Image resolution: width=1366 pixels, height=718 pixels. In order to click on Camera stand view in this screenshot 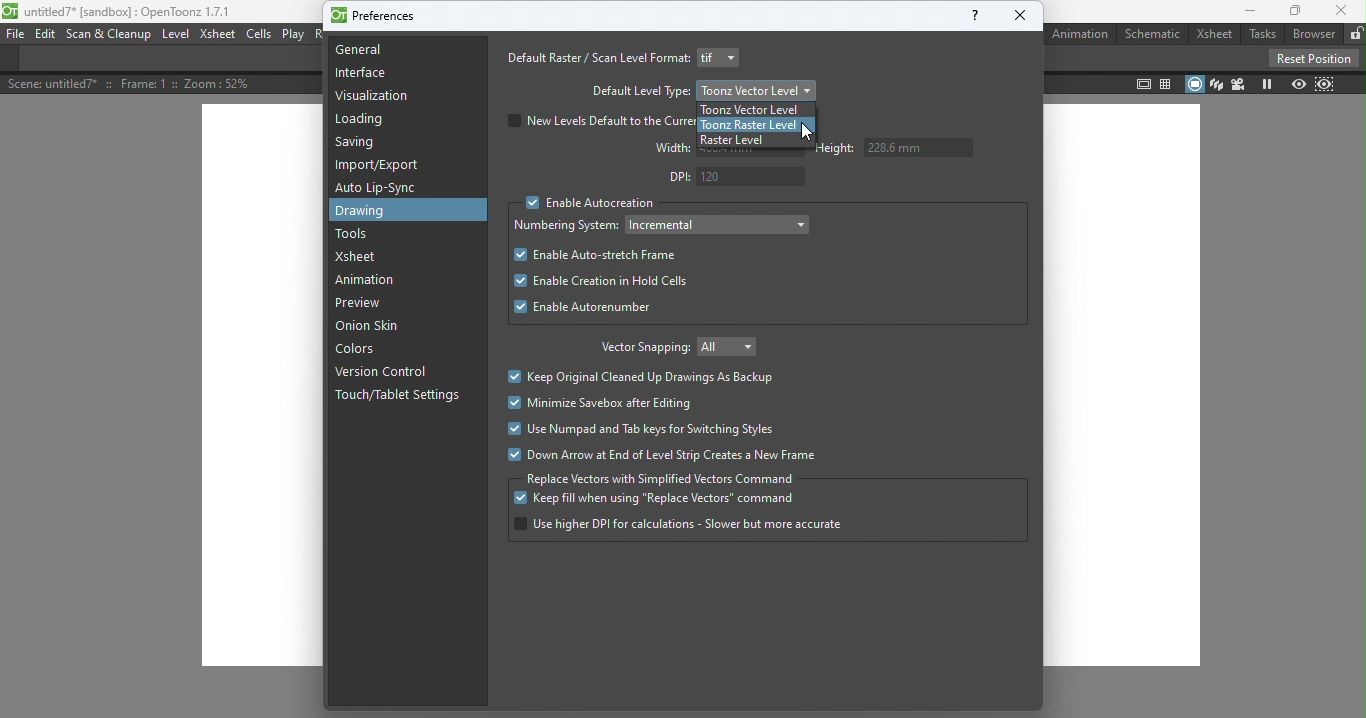, I will do `click(1195, 84)`.